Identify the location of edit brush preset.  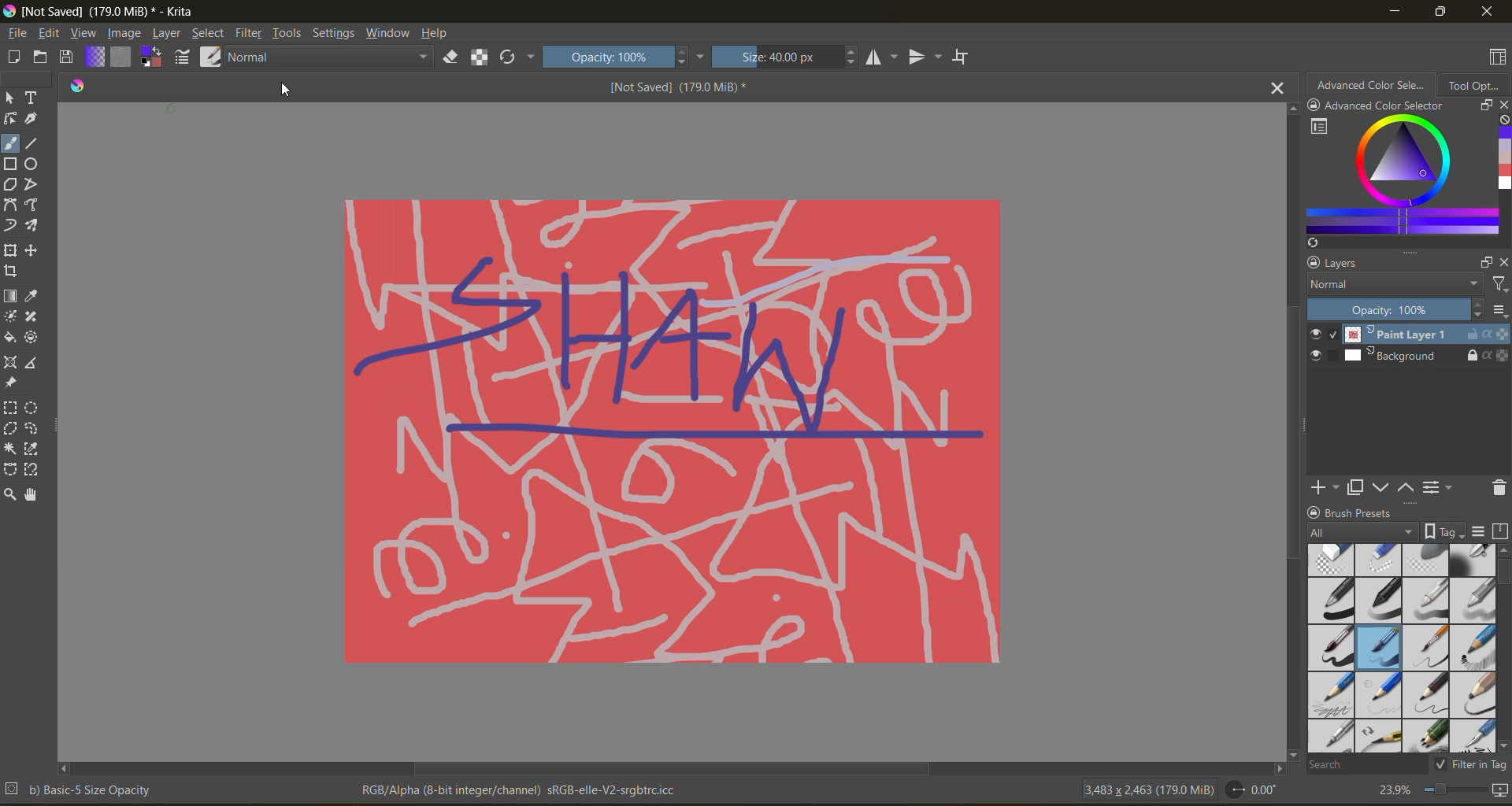
(185, 59).